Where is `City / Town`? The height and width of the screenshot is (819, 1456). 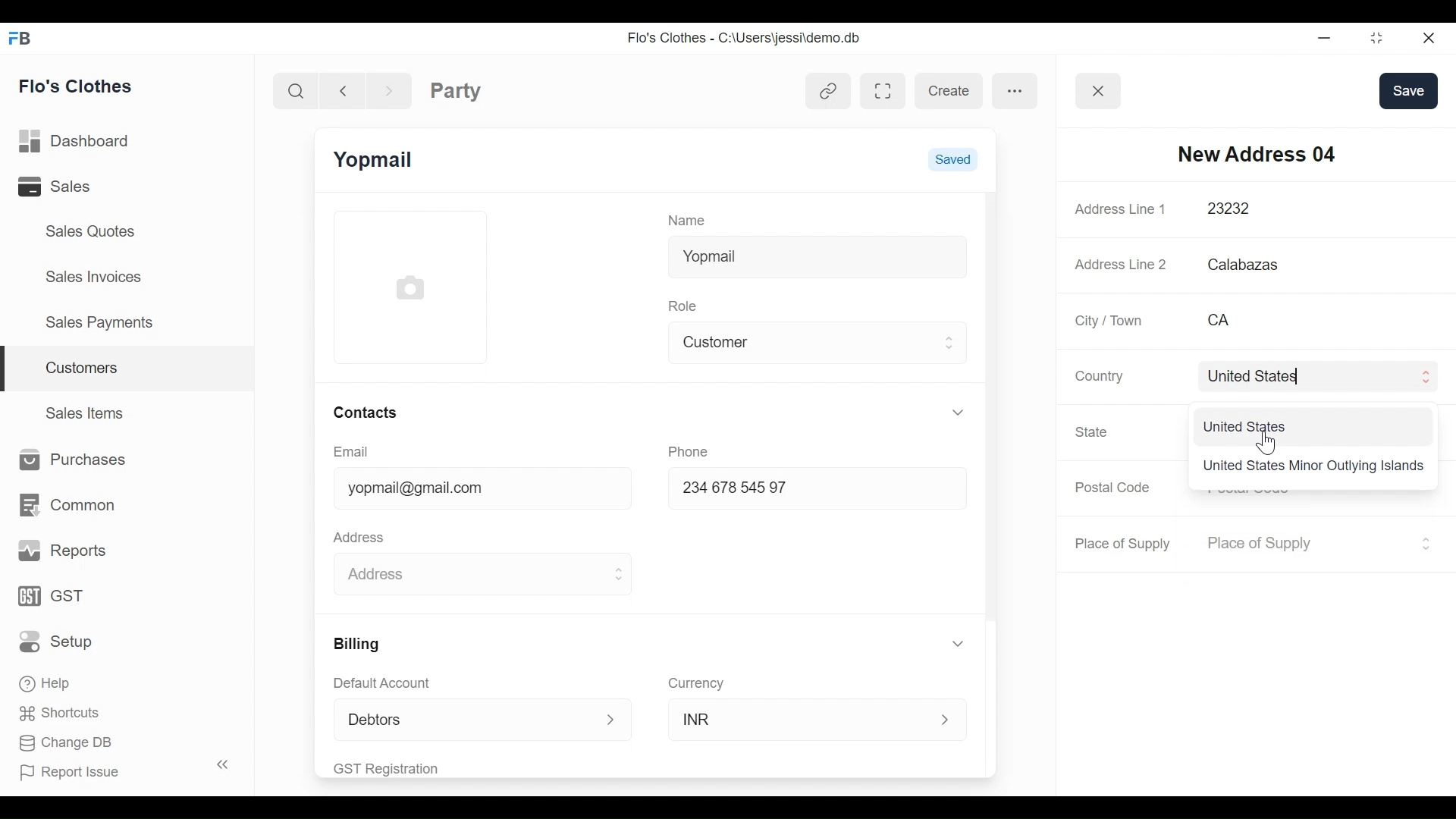
City / Town is located at coordinates (1110, 321).